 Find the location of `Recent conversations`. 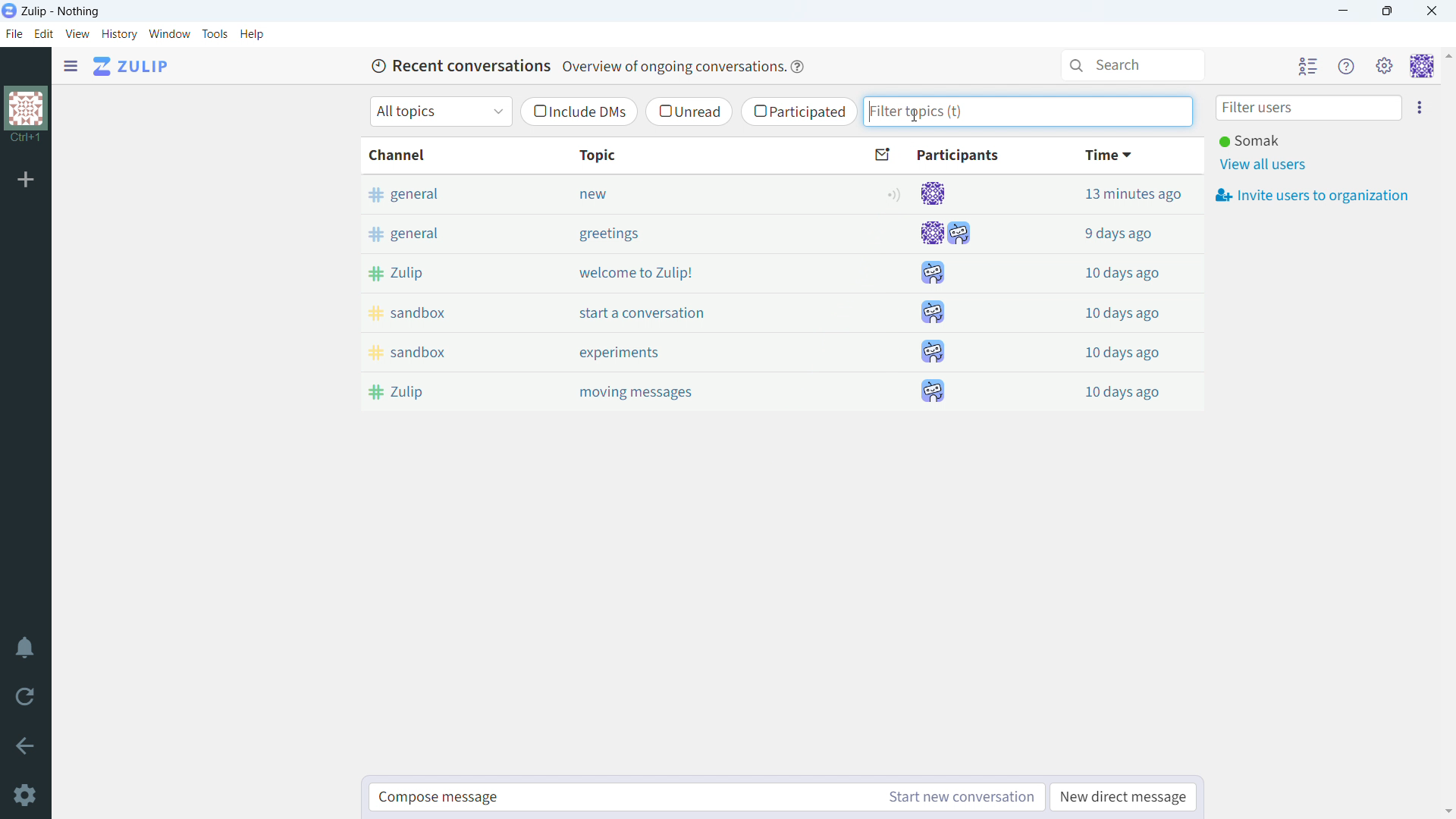

Recent conversations is located at coordinates (459, 64).